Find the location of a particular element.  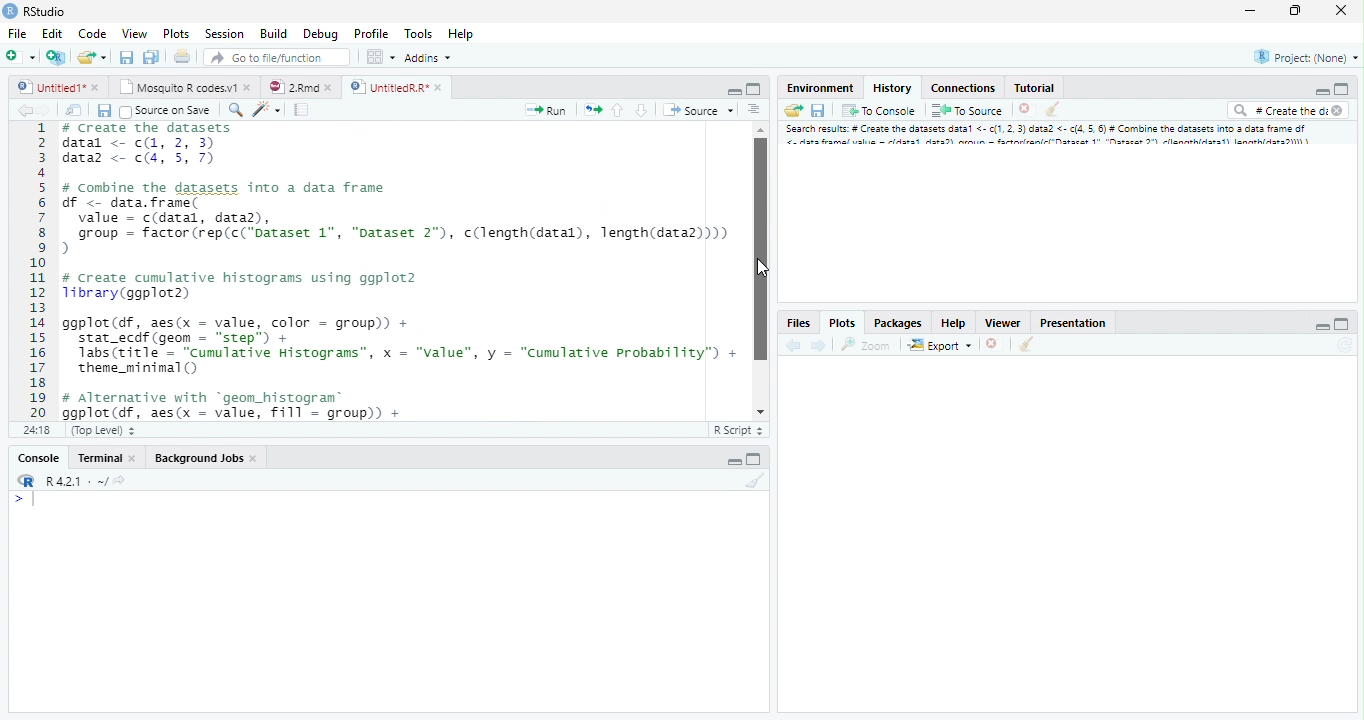

New file is located at coordinates (20, 55).